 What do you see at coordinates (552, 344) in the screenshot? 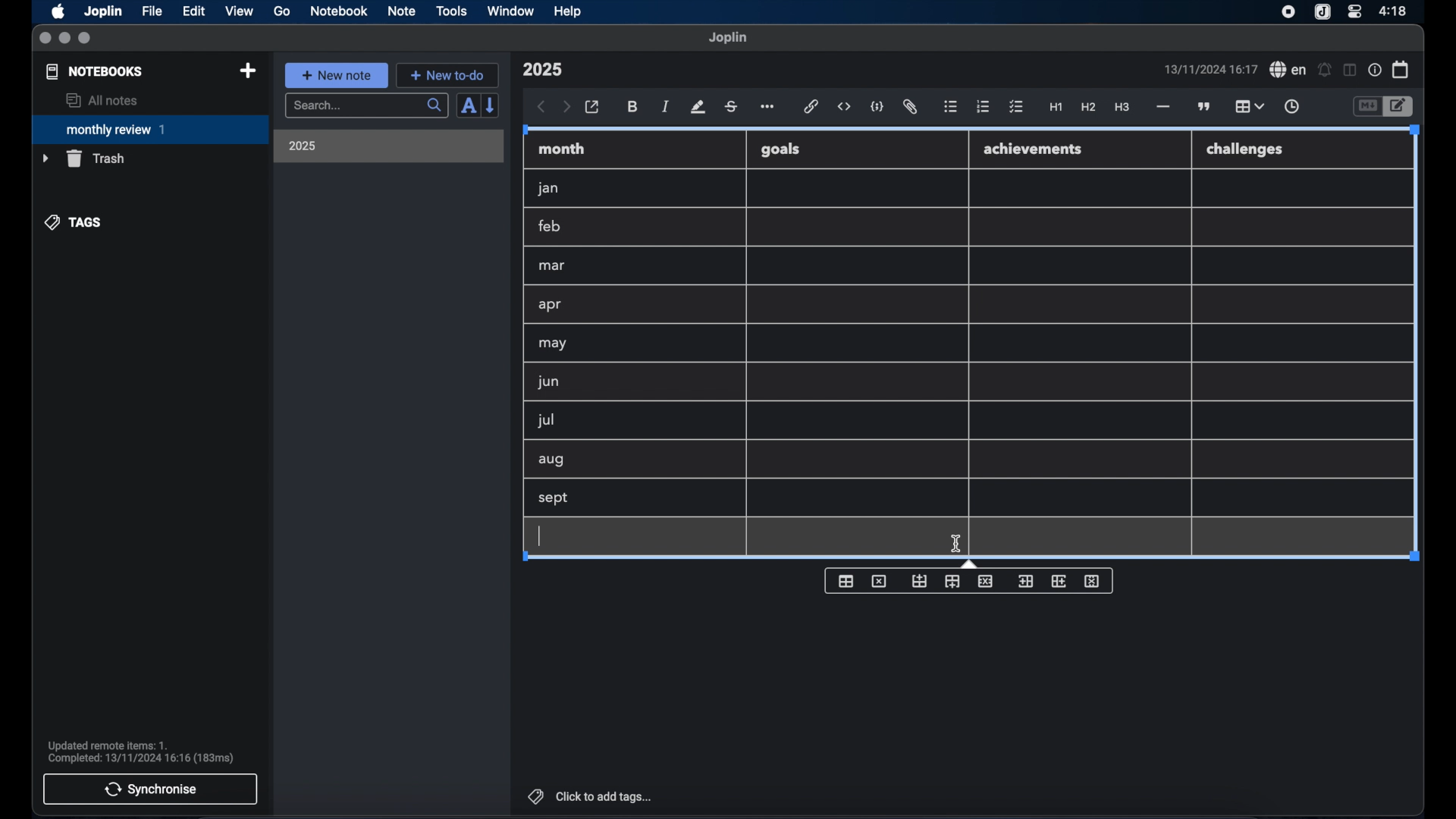
I see `may` at bounding box center [552, 344].